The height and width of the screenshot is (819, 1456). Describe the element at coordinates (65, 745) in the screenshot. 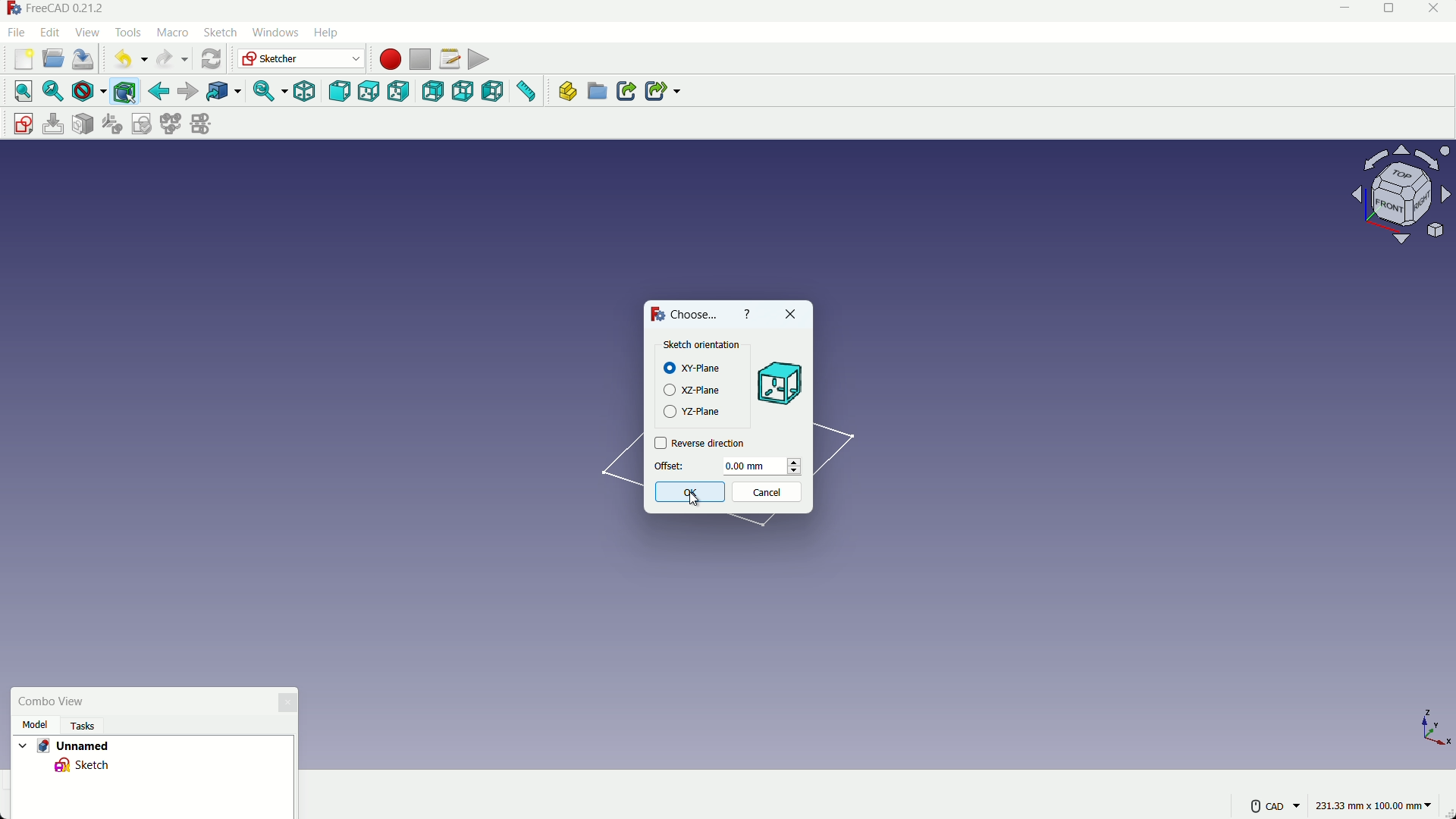

I see `project name - Unnamed` at that location.